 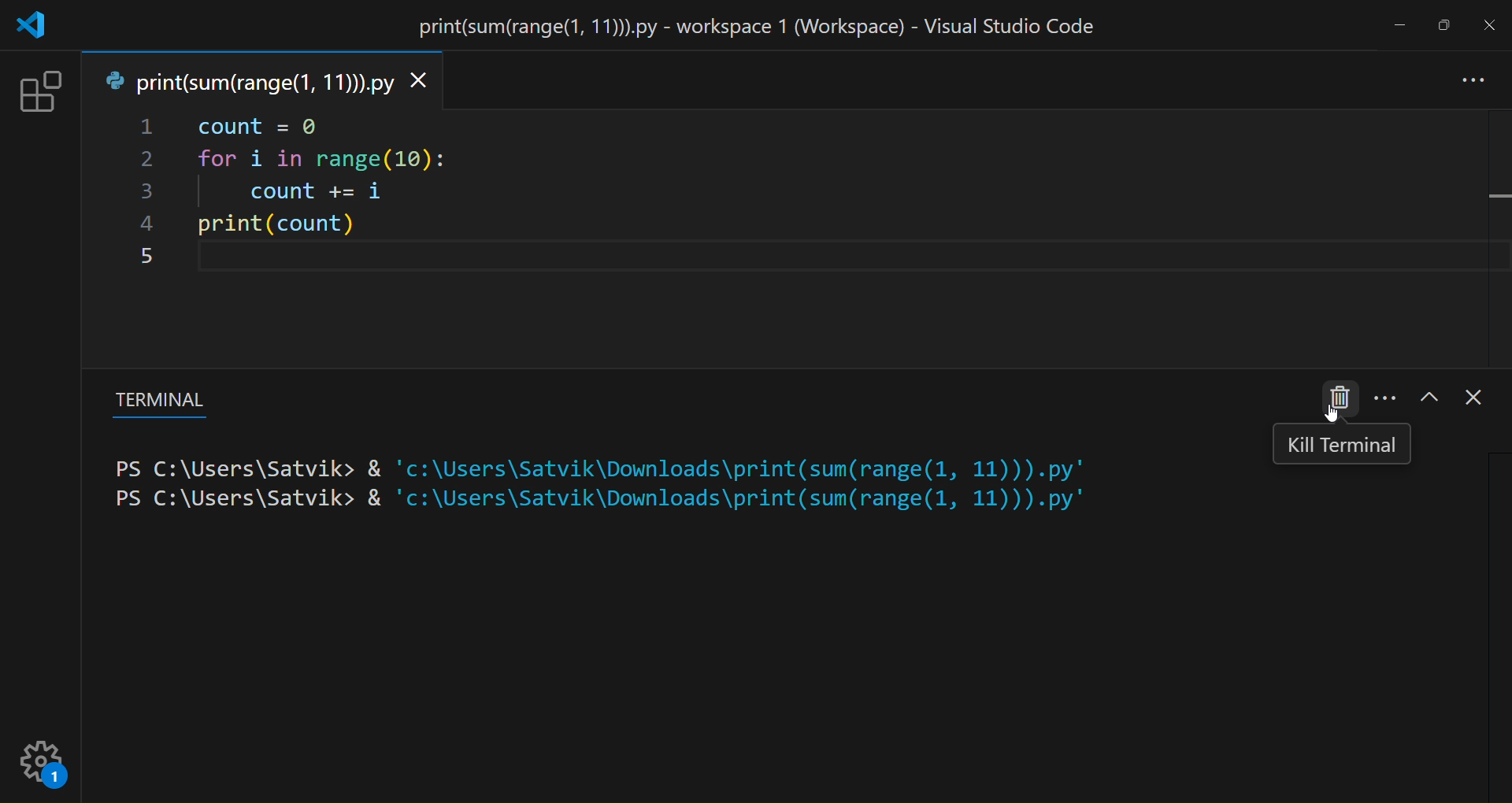 I want to click on more, so click(x=1385, y=397).